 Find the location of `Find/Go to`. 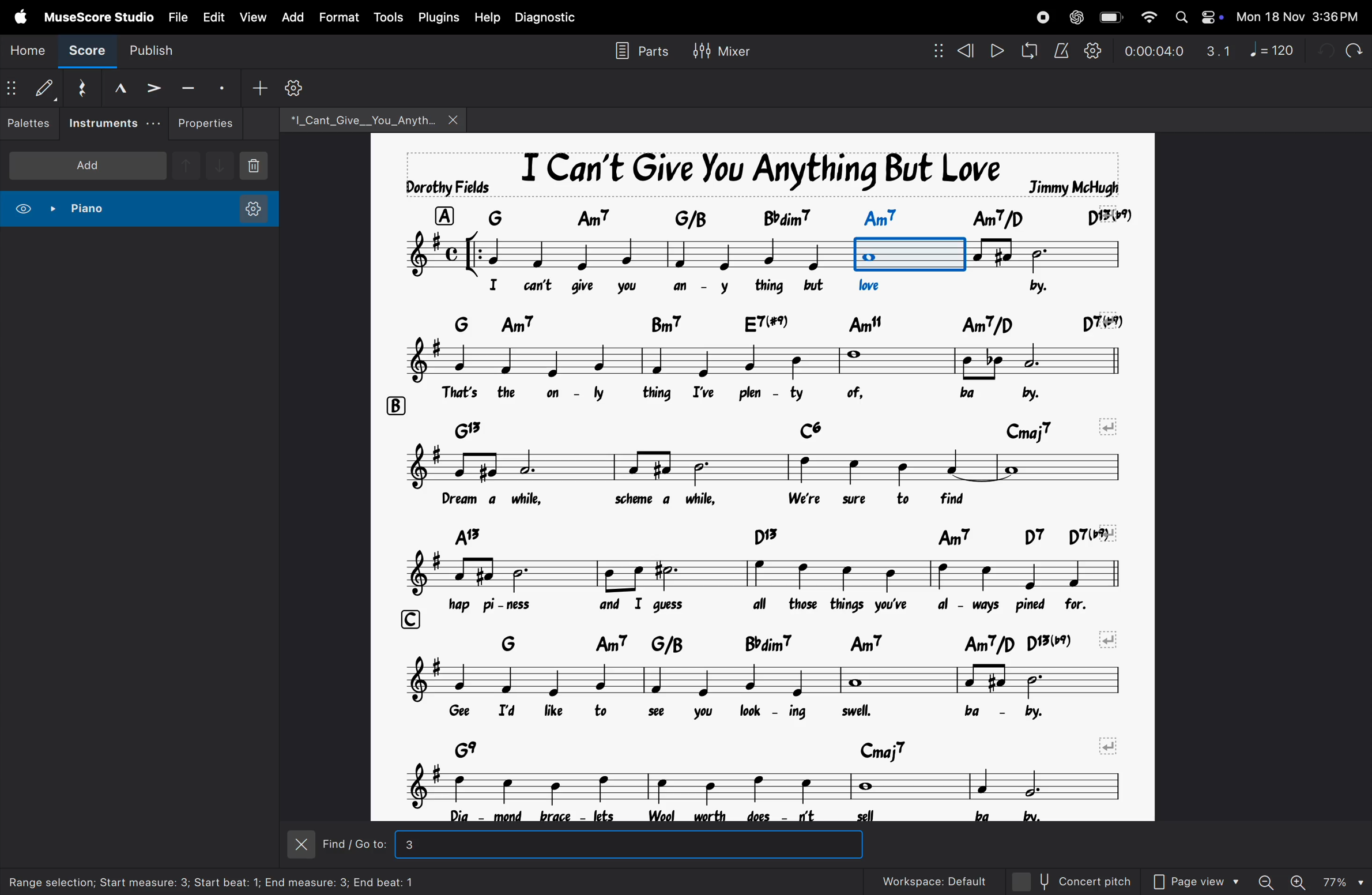

Find/Go to is located at coordinates (355, 845).